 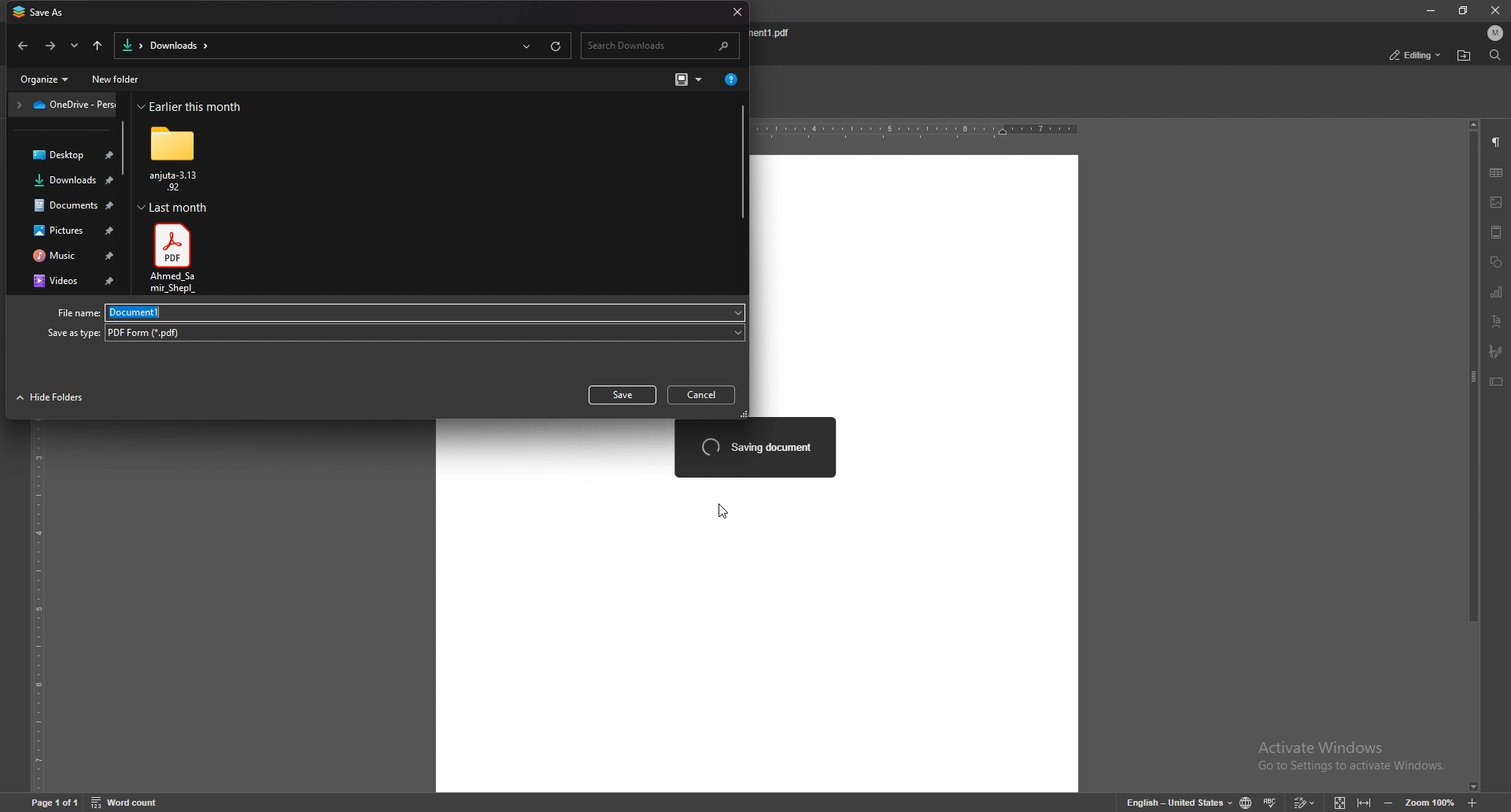 What do you see at coordinates (1495, 143) in the screenshot?
I see `paragraph` at bounding box center [1495, 143].